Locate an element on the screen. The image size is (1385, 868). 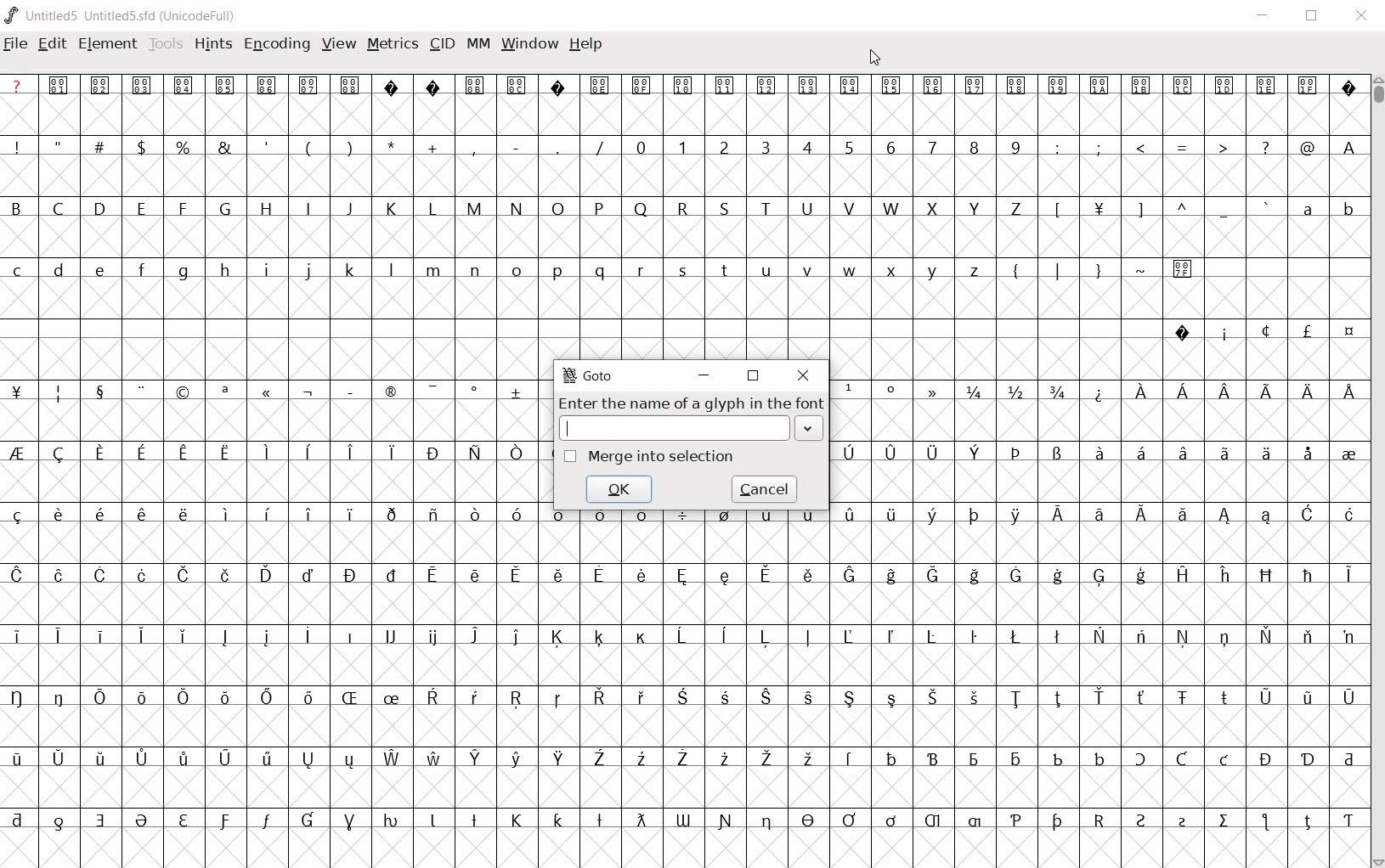
METRICS is located at coordinates (391, 46).